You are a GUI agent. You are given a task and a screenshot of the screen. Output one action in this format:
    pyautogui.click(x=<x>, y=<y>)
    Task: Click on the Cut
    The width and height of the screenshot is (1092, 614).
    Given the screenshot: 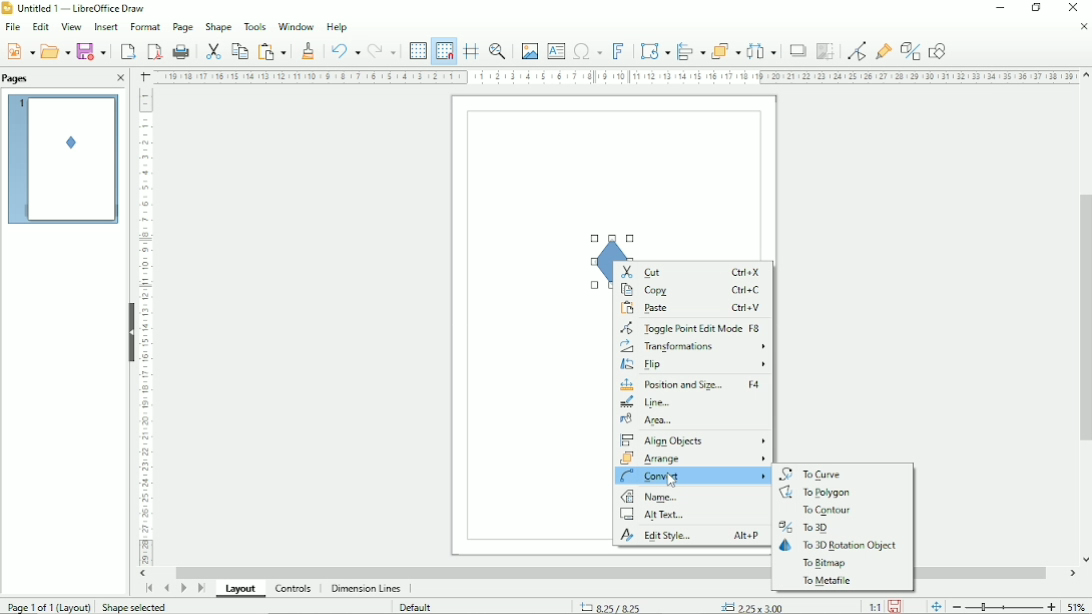 What is the action you would take?
    pyautogui.click(x=691, y=272)
    